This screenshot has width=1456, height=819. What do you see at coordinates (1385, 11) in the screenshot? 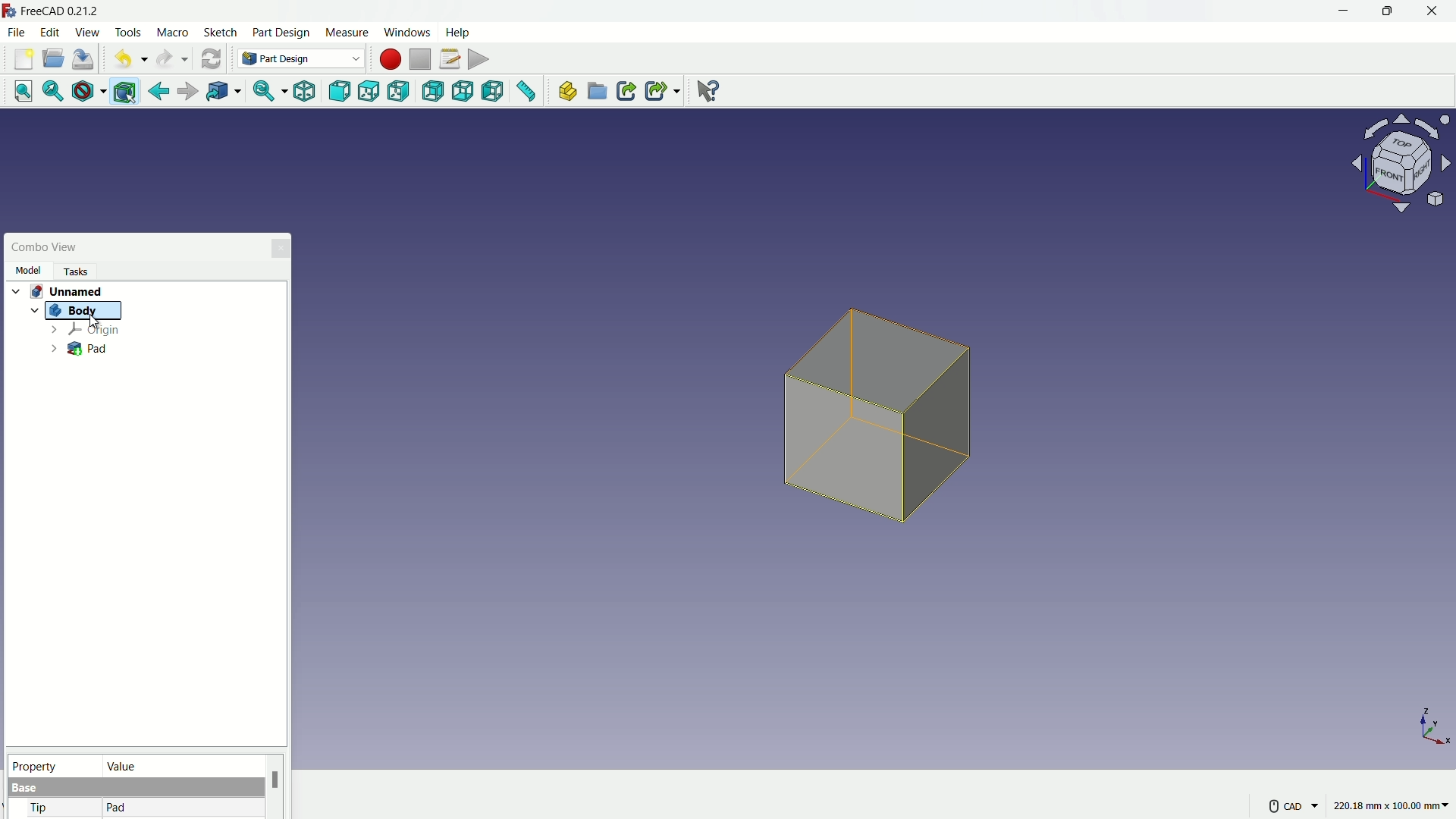
I see `maximize or restore` at bounding box center [1385, 11].